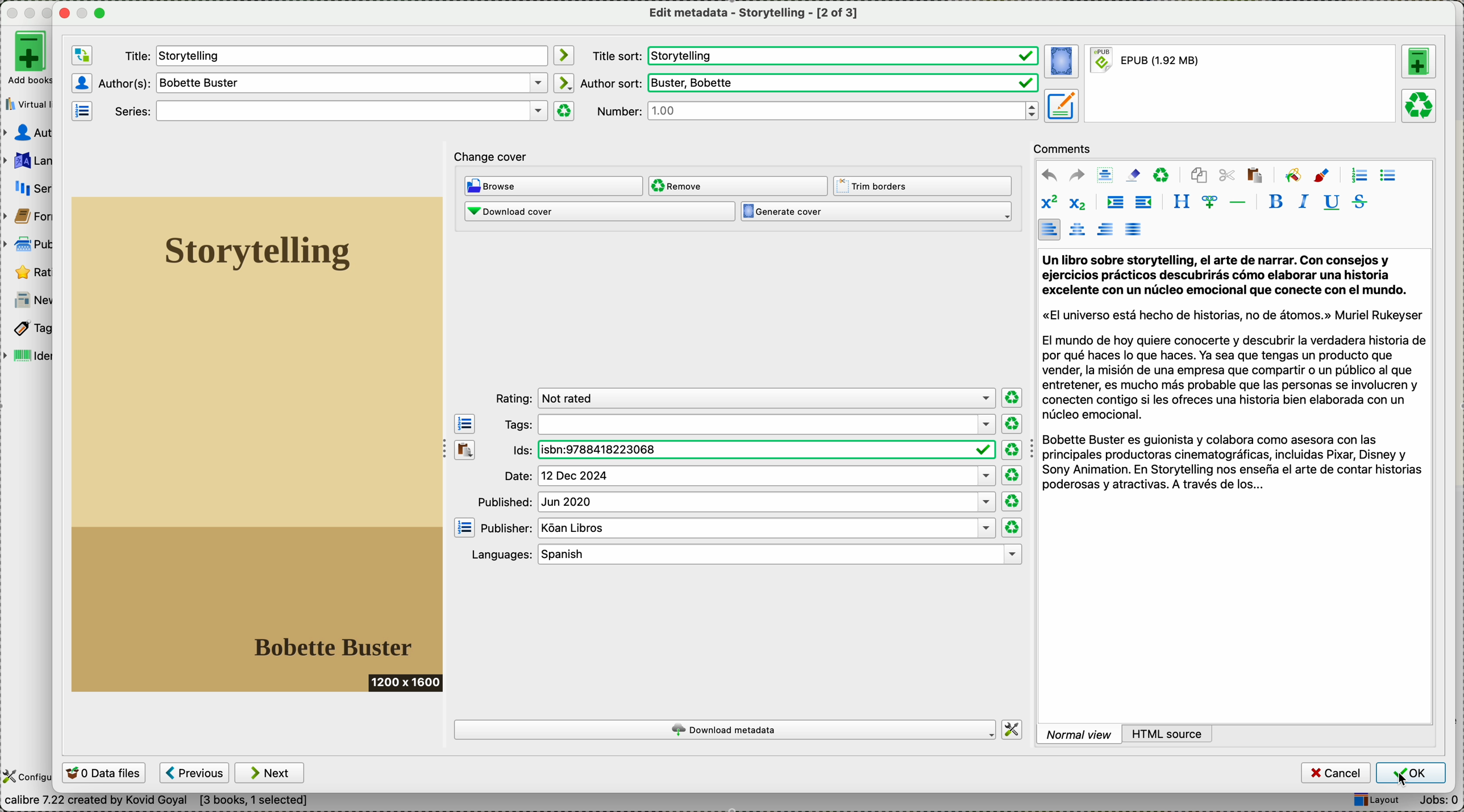 This screenshot has height=812, width=1464. Describe the element at coordinates (162, 801) in the screenshot. I see `data` at that location.